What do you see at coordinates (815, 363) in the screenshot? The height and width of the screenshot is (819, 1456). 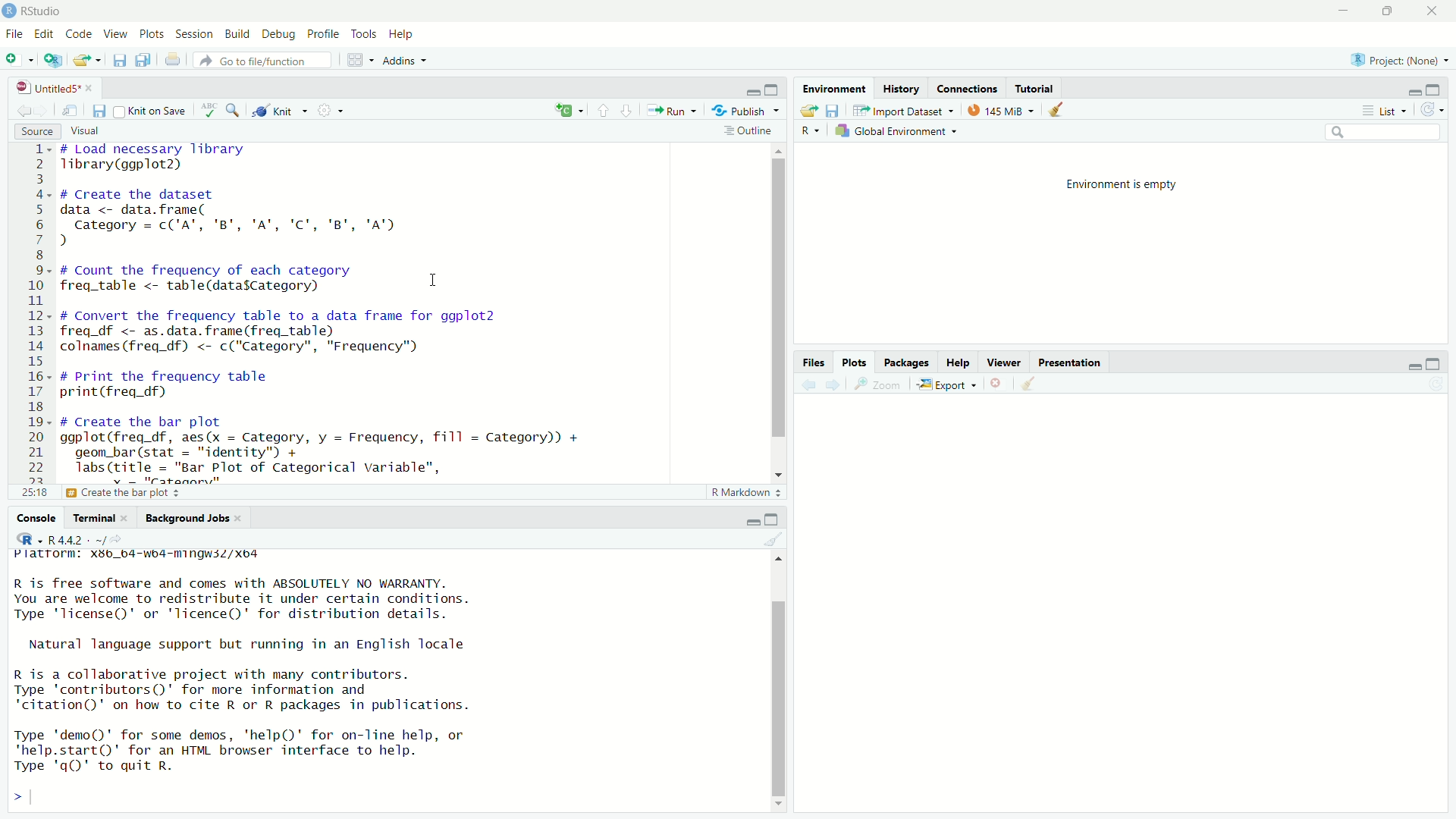 I see `files` at bounding box center [815, 363].